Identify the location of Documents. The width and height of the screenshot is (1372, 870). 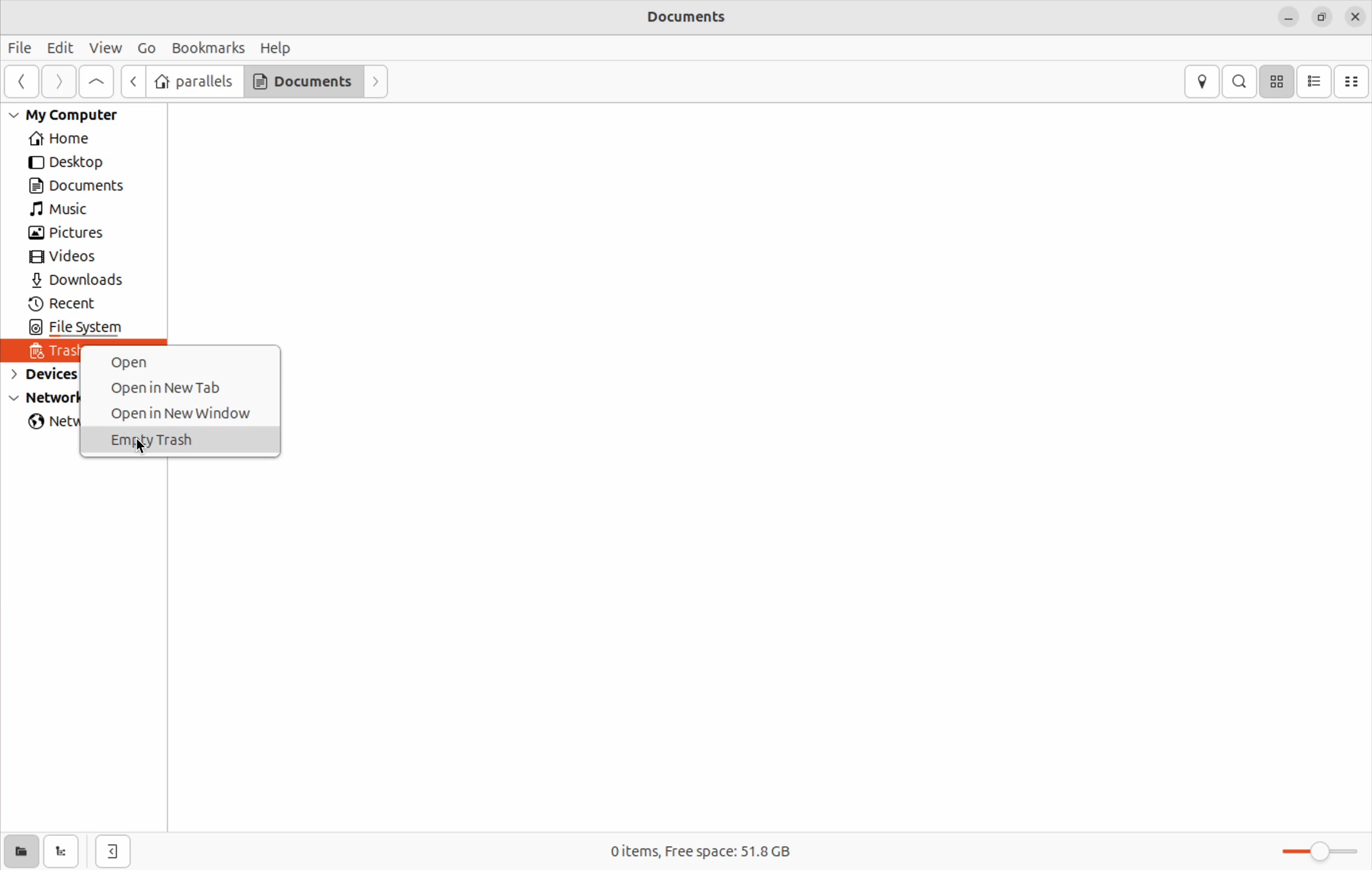
(79, 184).